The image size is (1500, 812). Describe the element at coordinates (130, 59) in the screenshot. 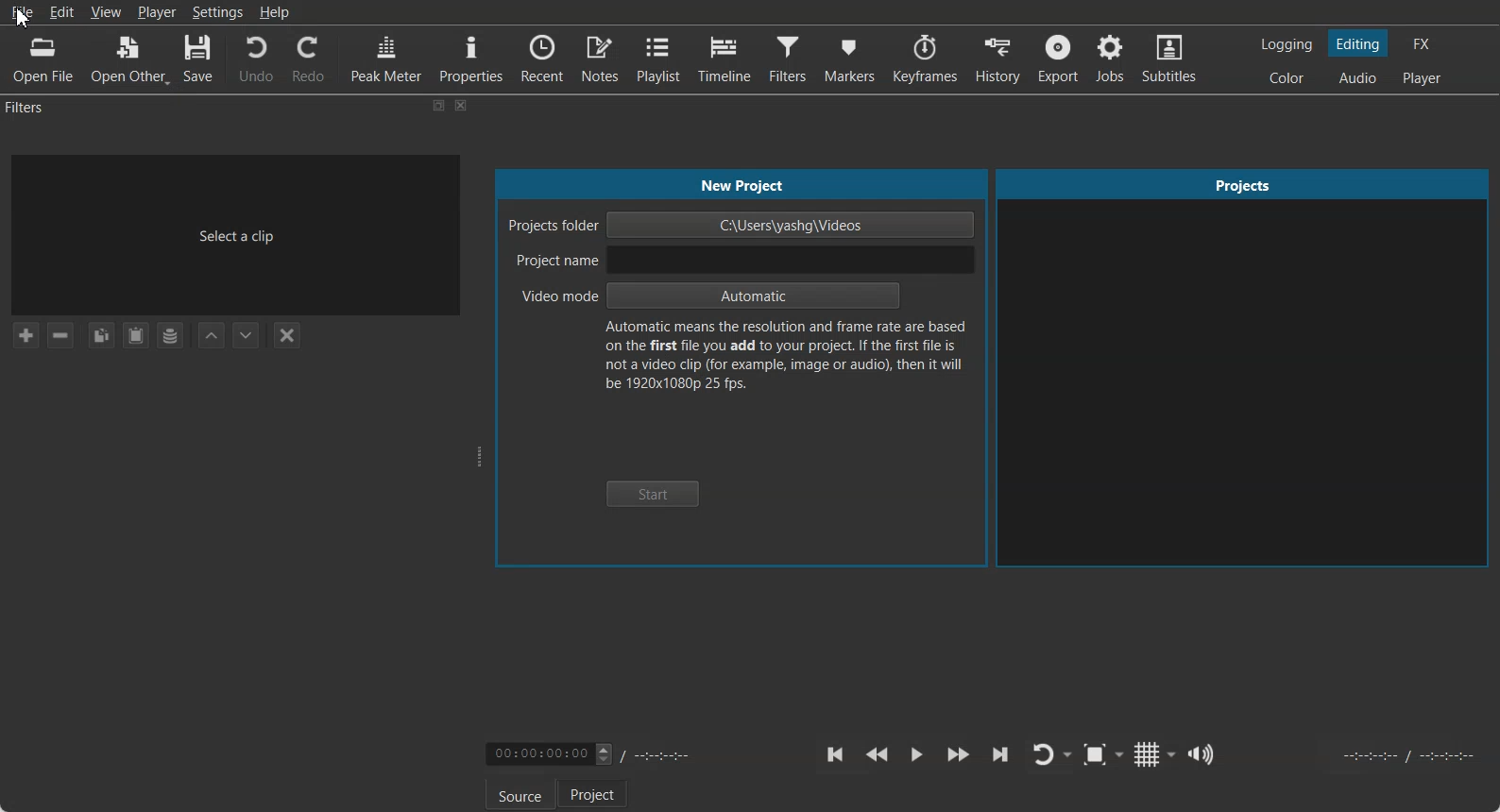

I see `Open Other` at that location.